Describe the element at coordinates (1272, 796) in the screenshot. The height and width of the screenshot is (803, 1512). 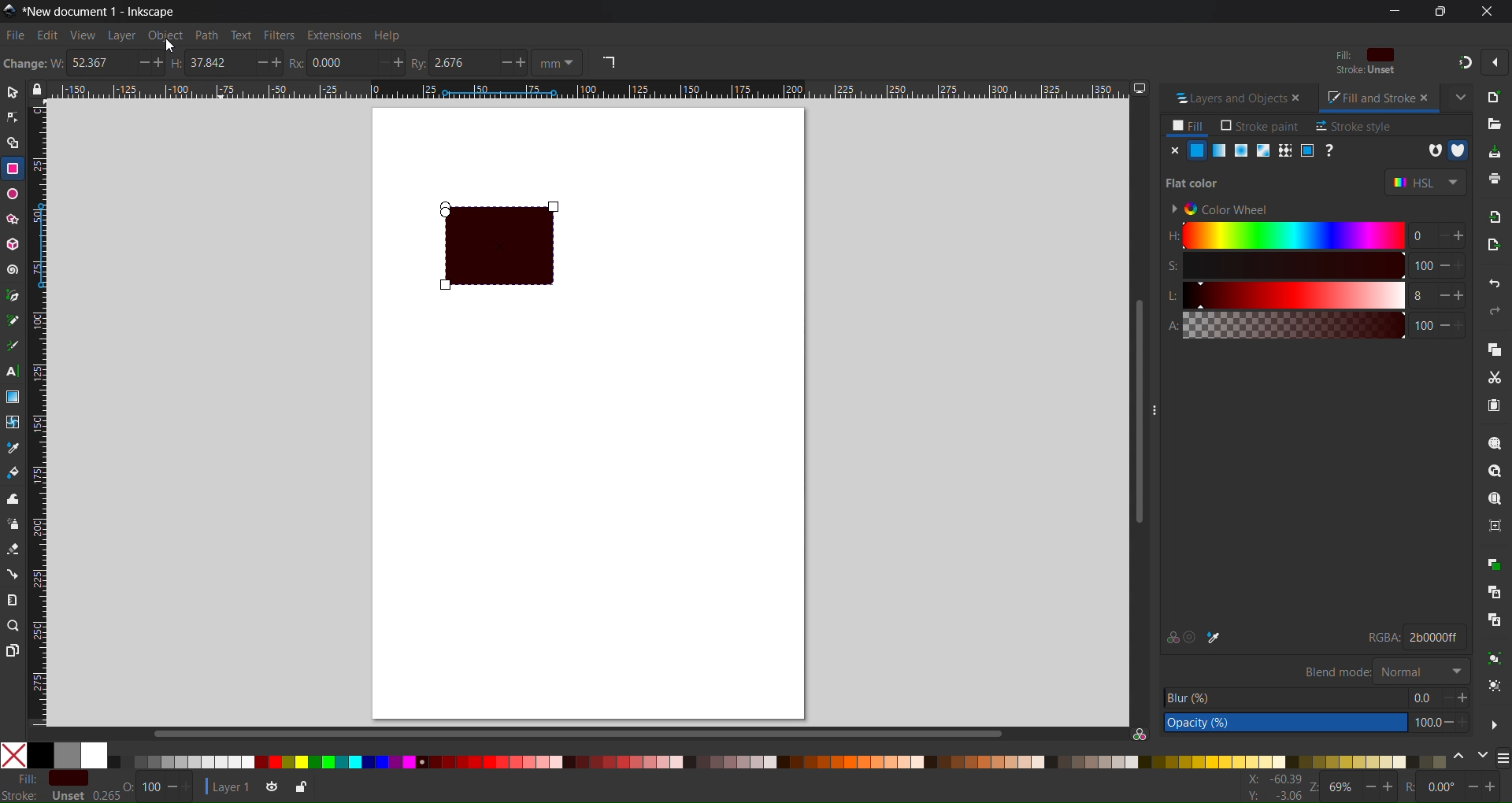
I see `Y: -3.06` at that location.